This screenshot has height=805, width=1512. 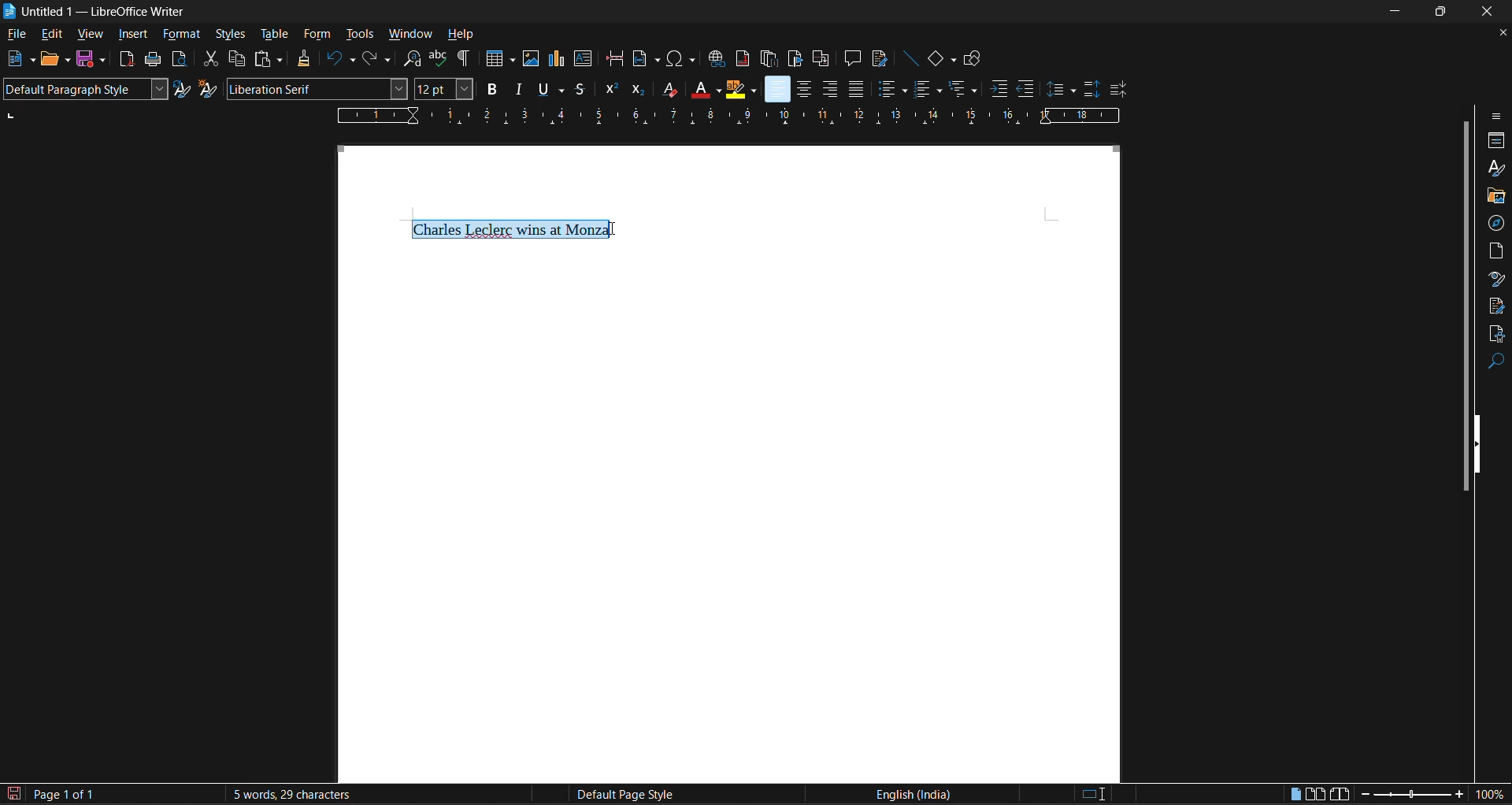 I want to click on justified, so click(x=854, y=88).